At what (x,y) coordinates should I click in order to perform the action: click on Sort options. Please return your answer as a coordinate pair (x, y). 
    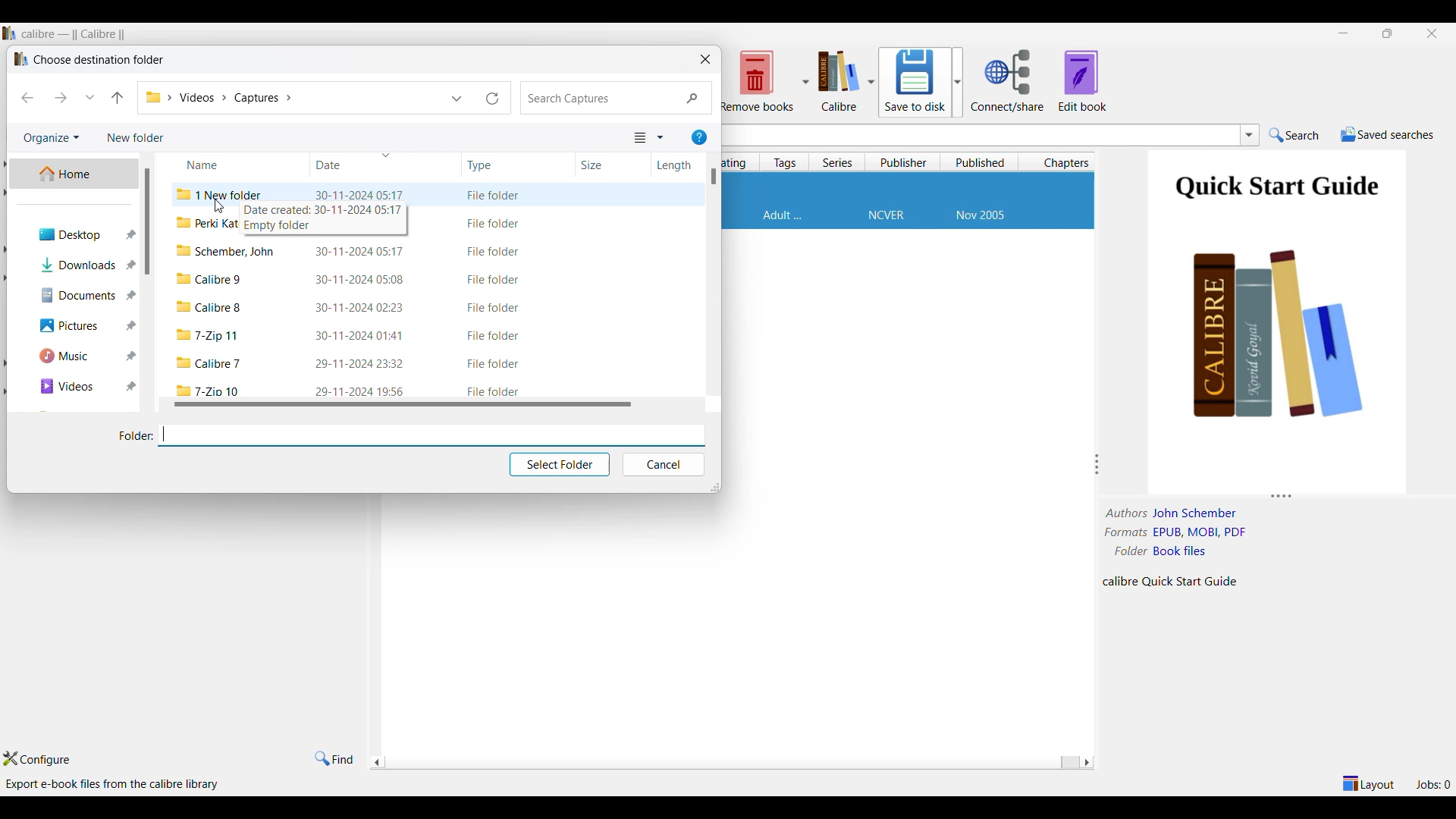
    Looking at the image, I should click on (648, 138).